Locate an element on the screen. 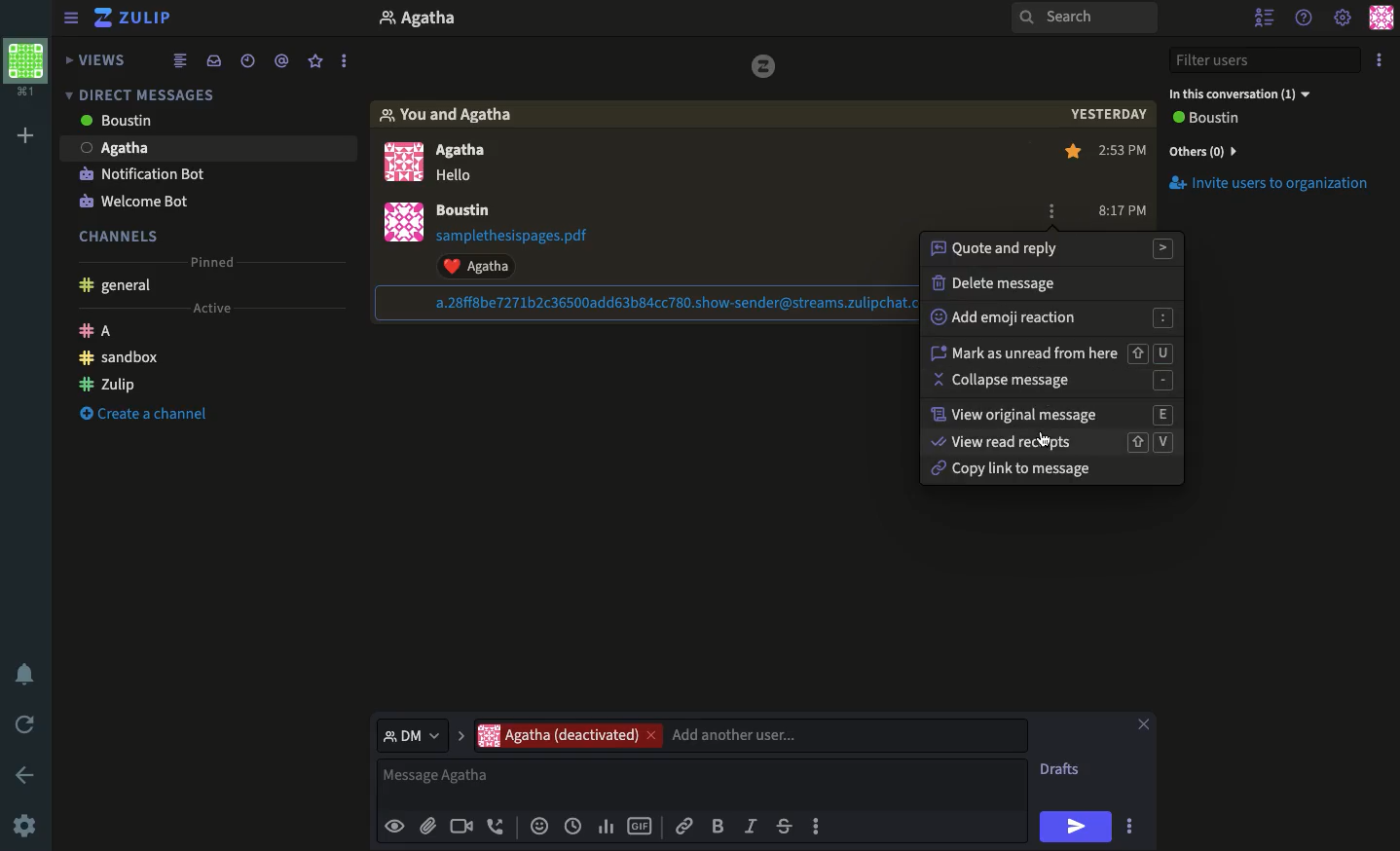 The image size is (1400, 851). Tag is located at coordinates (284, 58).